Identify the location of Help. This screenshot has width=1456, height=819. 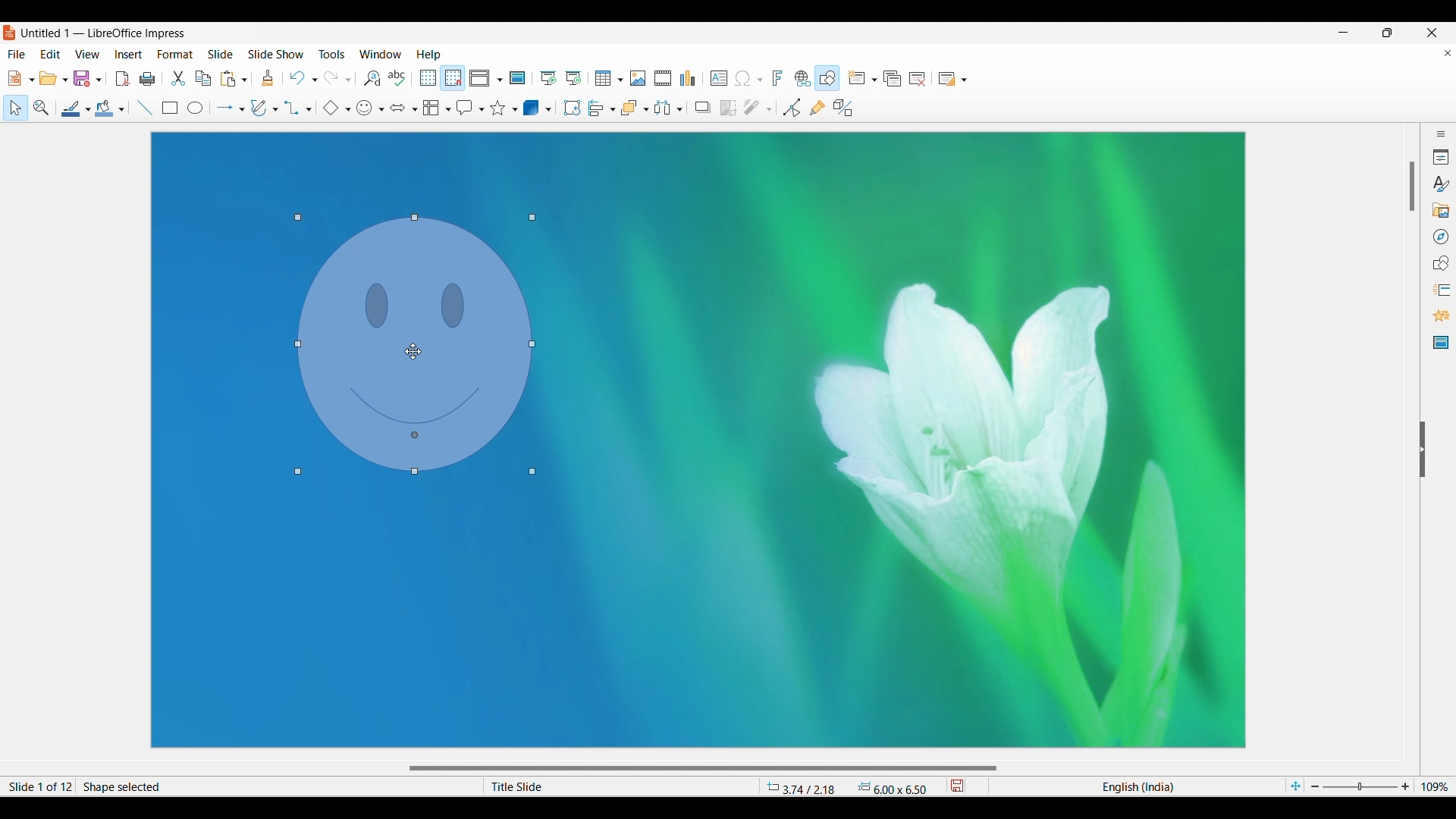
(428, 55).